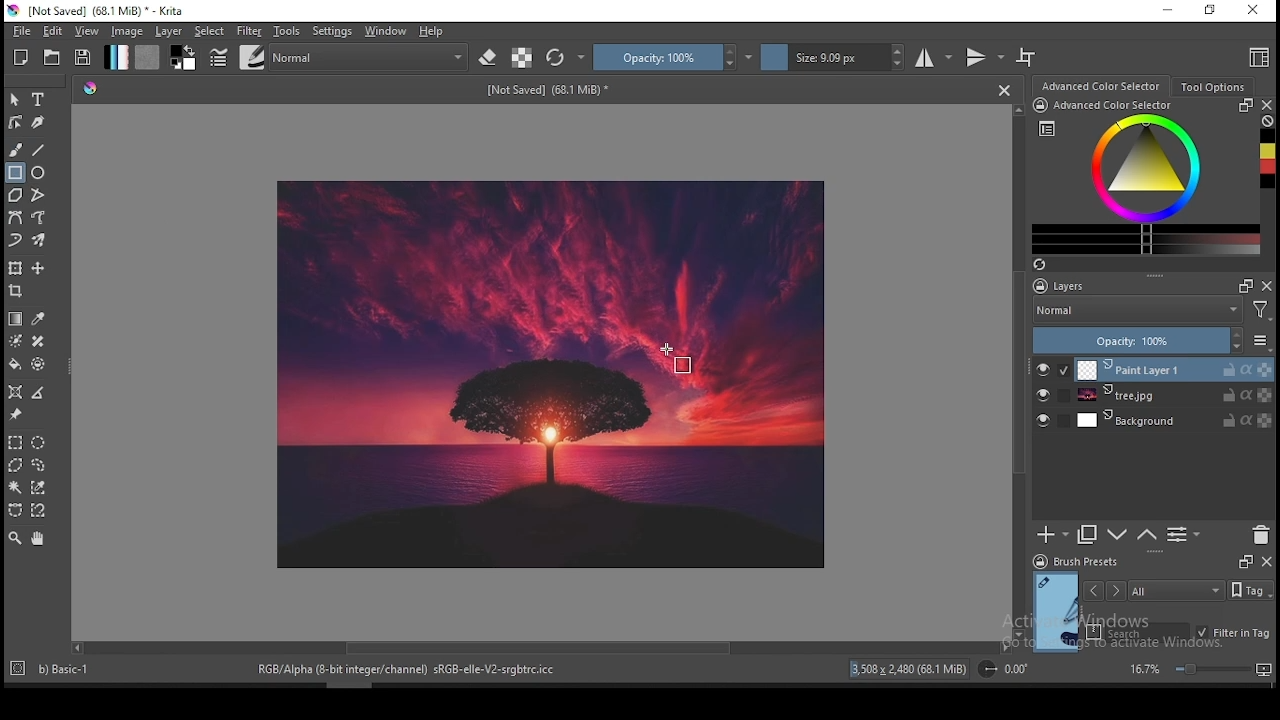  I want to click on crop tool, so click(18, 291).